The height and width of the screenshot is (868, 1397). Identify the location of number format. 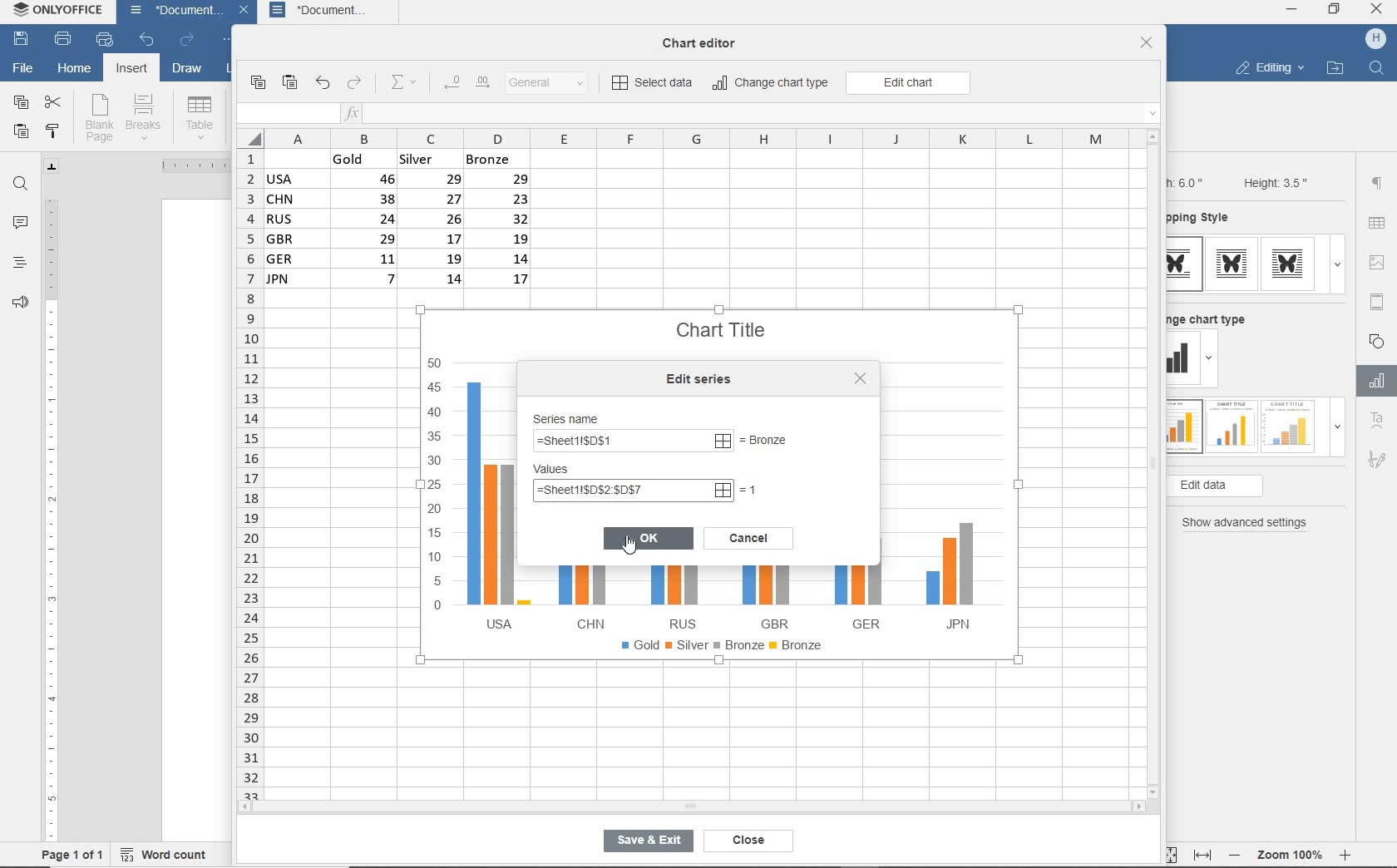
(553, 84).